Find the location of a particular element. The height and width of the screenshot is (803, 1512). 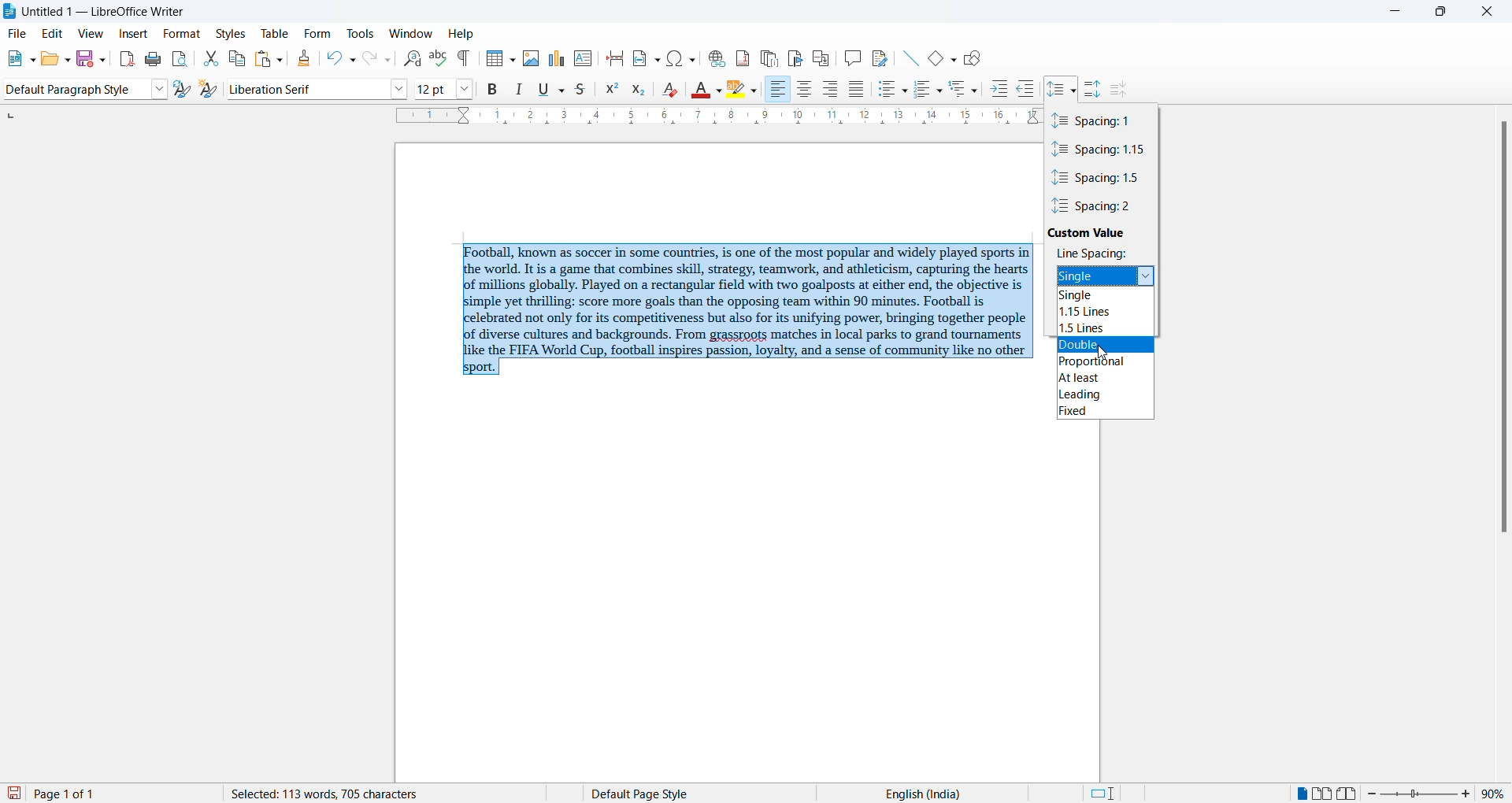

text align right is located at coordinates (778, 90).